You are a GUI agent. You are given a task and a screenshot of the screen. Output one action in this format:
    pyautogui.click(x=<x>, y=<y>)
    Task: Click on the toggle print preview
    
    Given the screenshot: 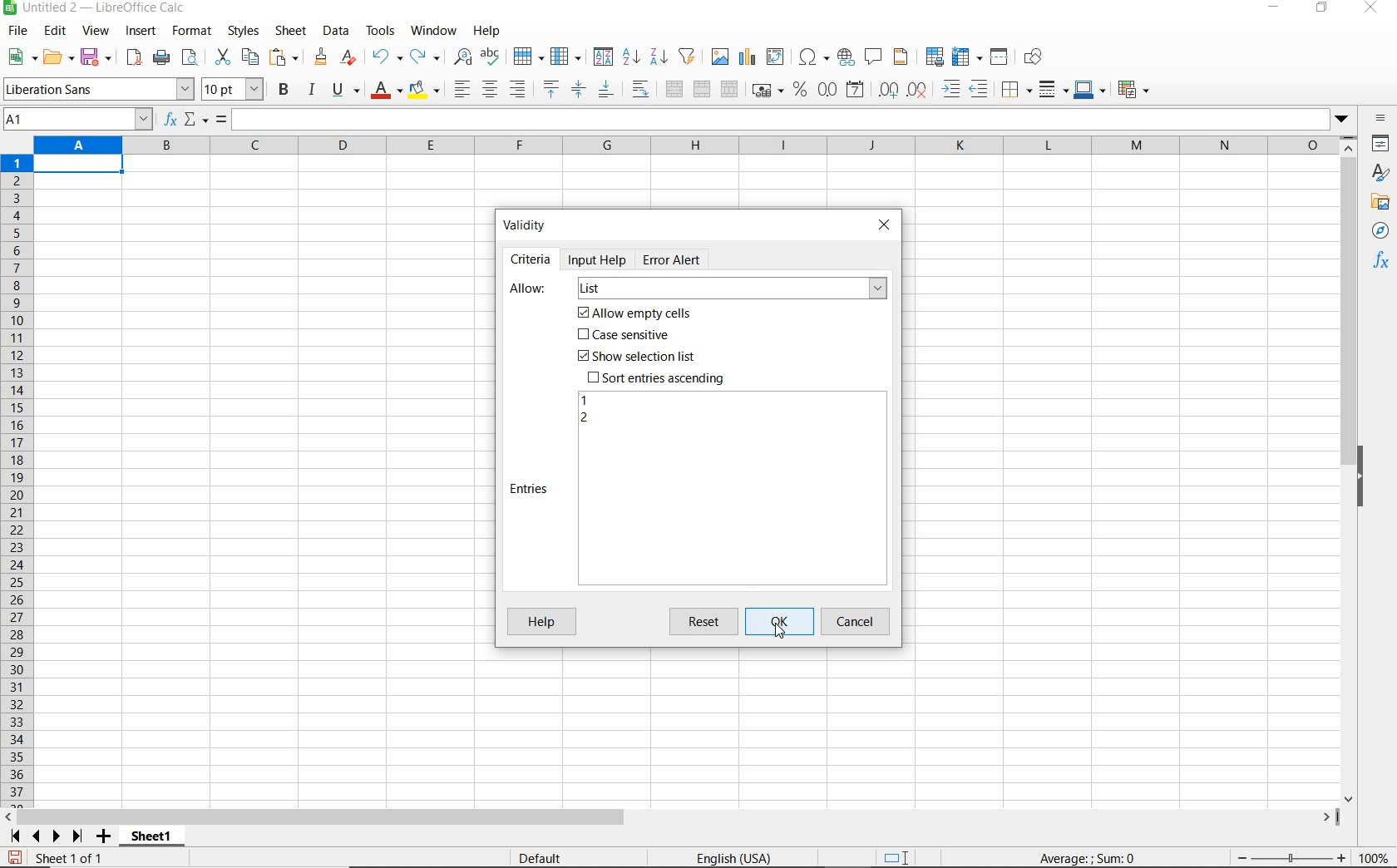 What is the action you would take?
    pyautogui.click(x=192, y=59)
    